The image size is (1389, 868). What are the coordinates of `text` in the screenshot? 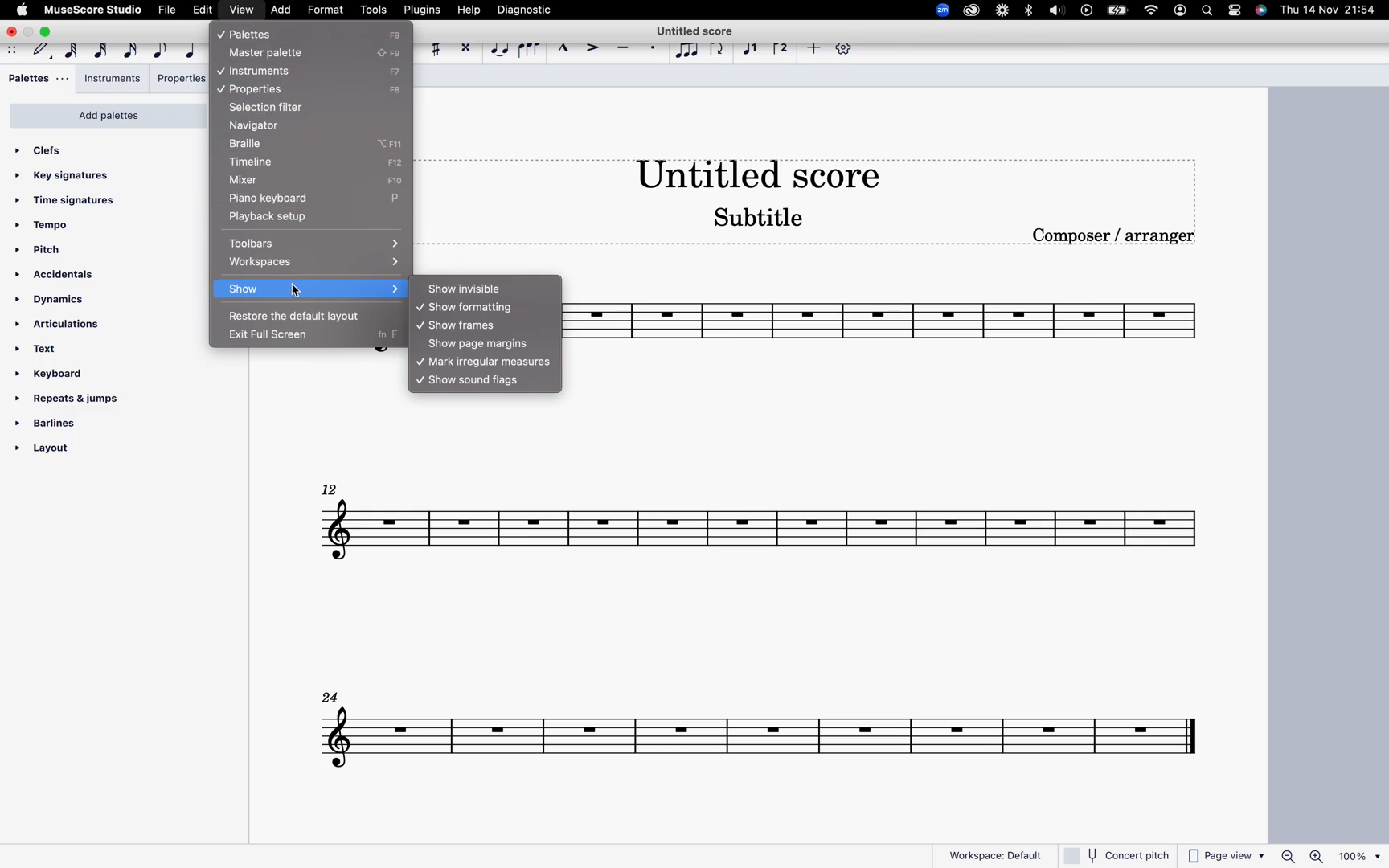 It's located at (46, 351).